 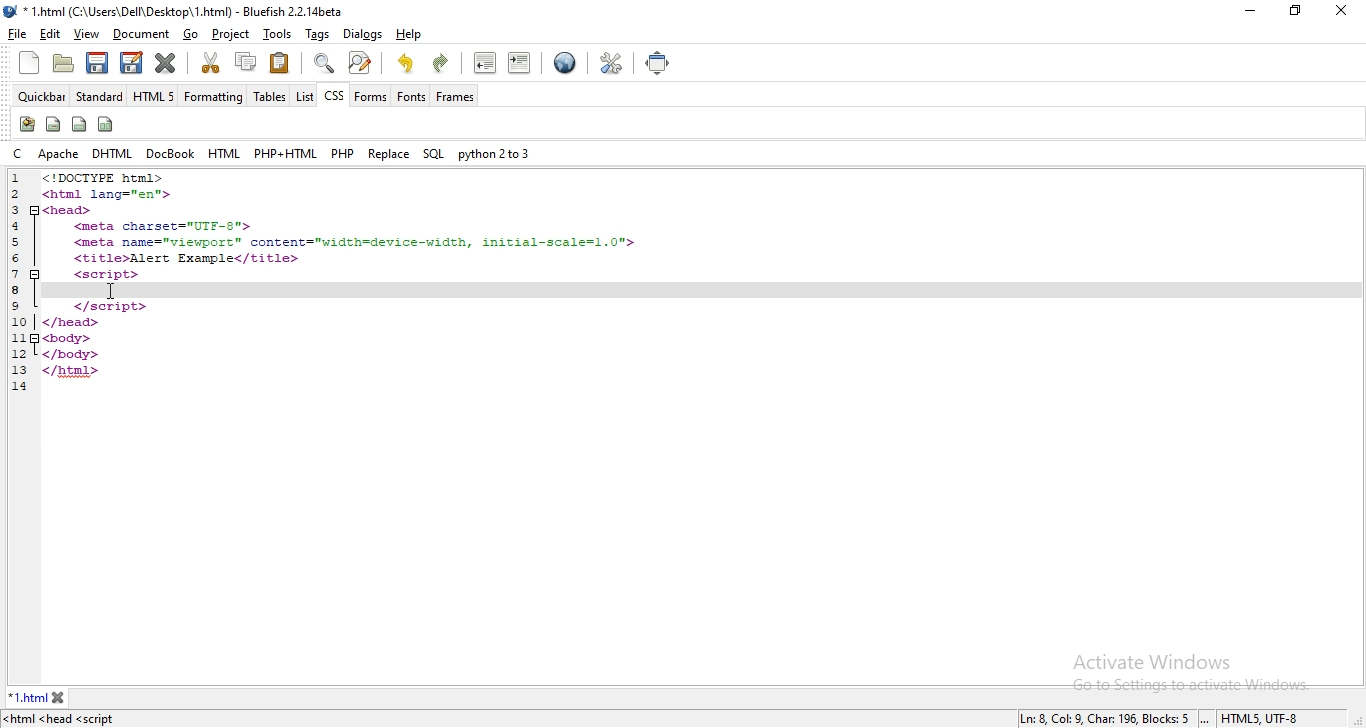 What do you see at coordinates (19, 34) in the screenshot?
I see `file` at bounding box center [19, 34].